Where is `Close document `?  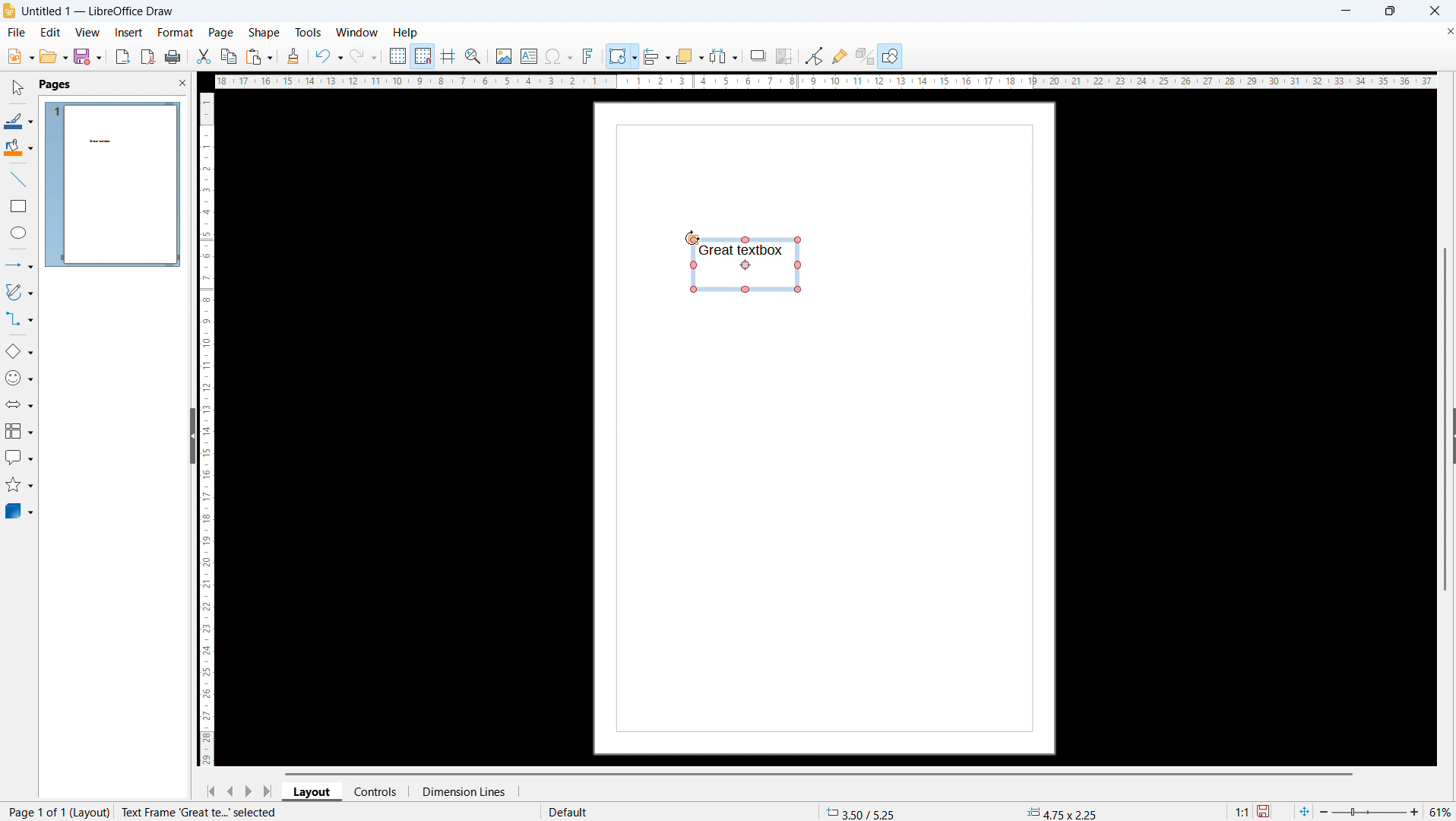 Close document  is located at coordinates (1447, 30).